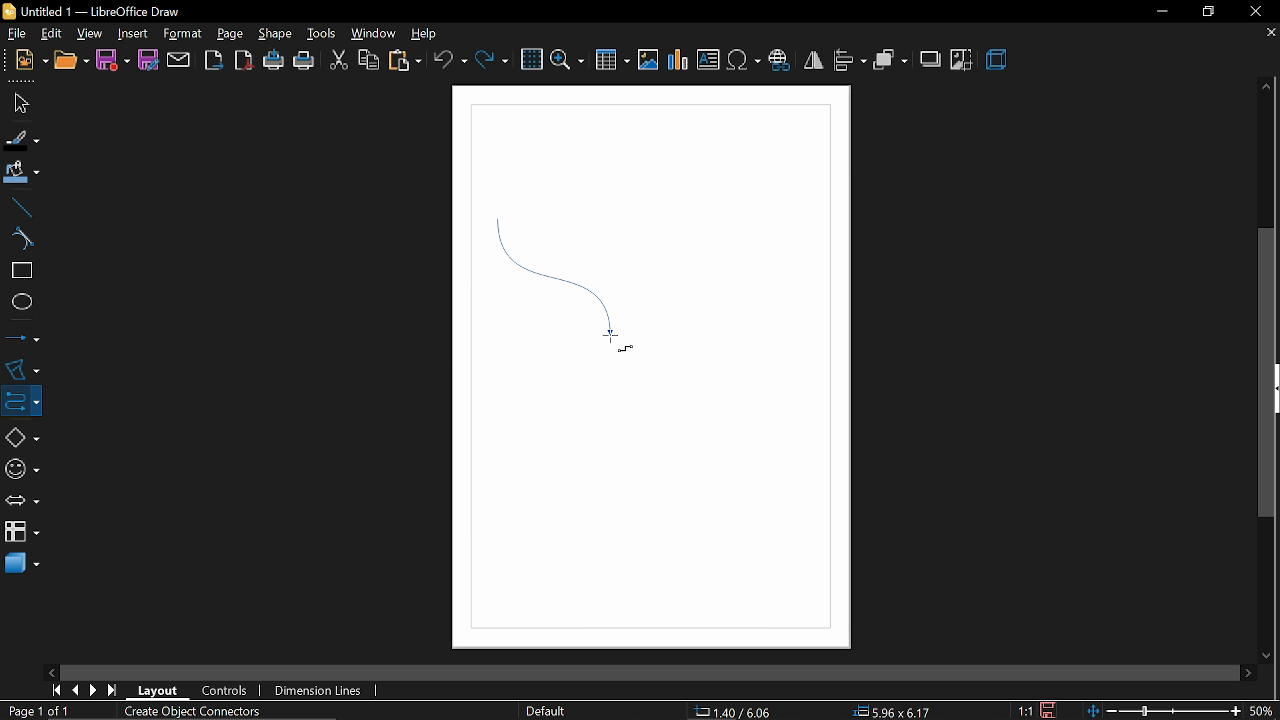  Describe the element at coordinates (1267, 374) in the screenshot. I see `Vertical scrollbar` at that location.